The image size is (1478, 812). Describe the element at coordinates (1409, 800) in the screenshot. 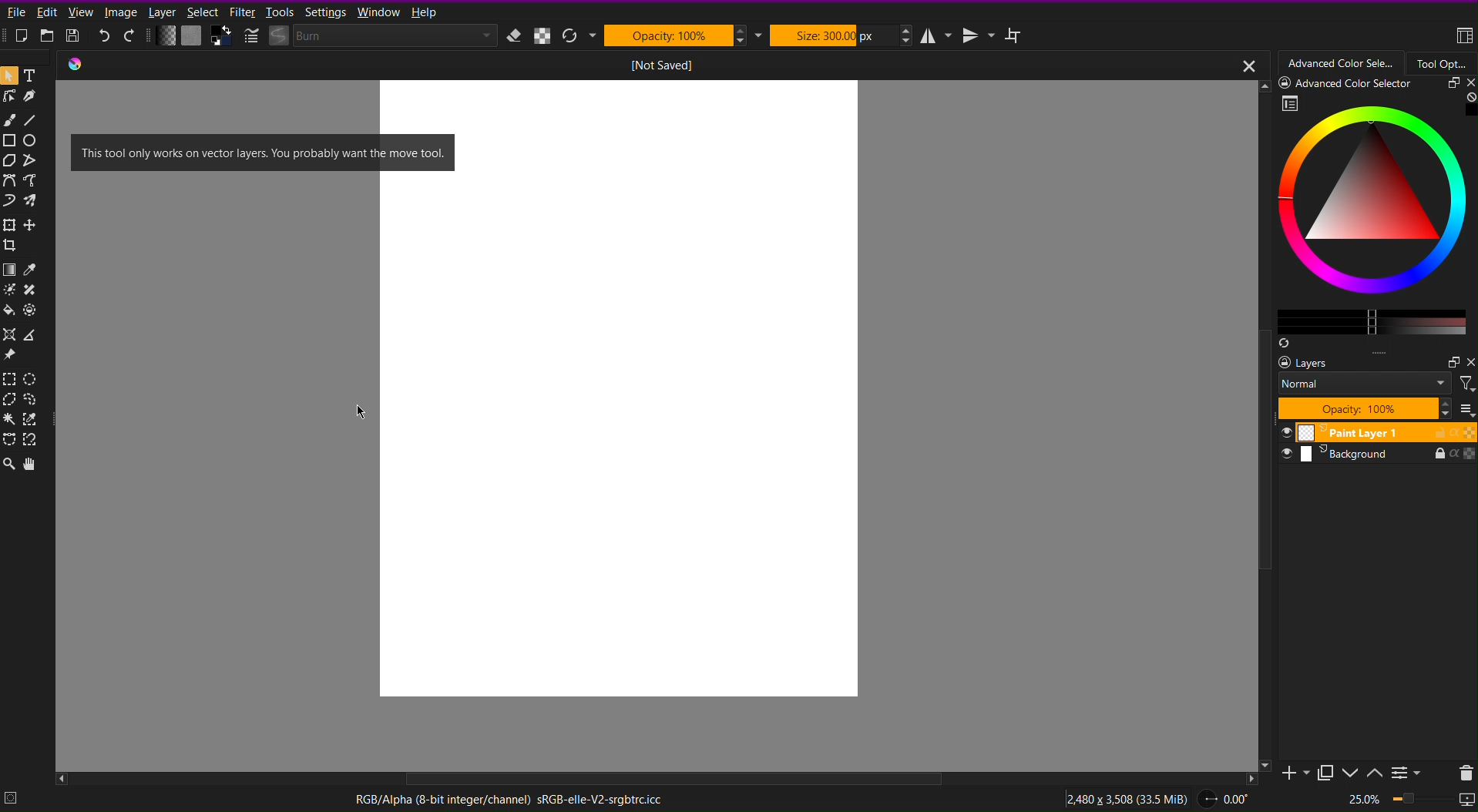

I see `Zoom` at that location.